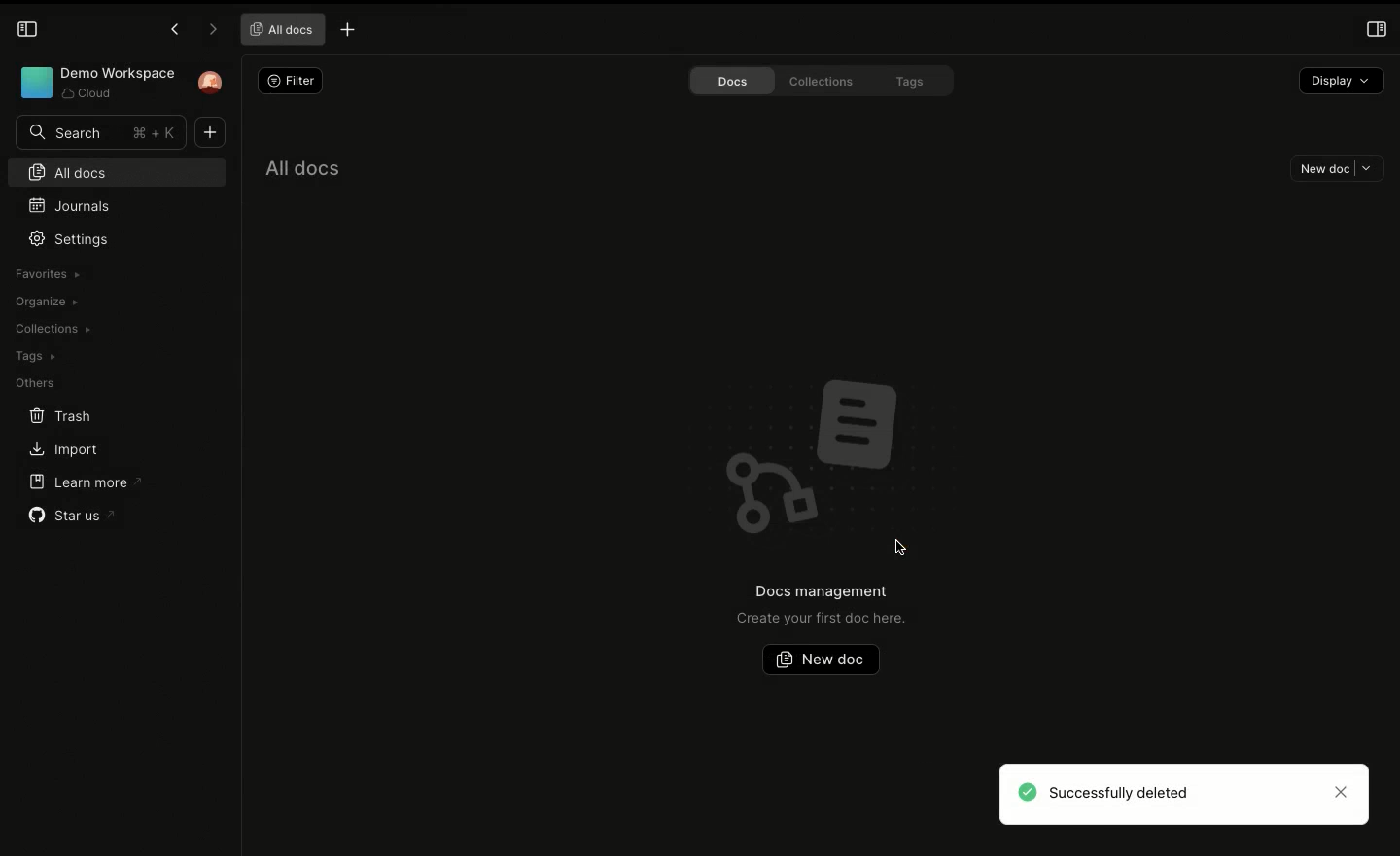  What do you see at coordinates (95, 83) in the screenshot?
I see `Workspace` at bounding box center [95, 83].